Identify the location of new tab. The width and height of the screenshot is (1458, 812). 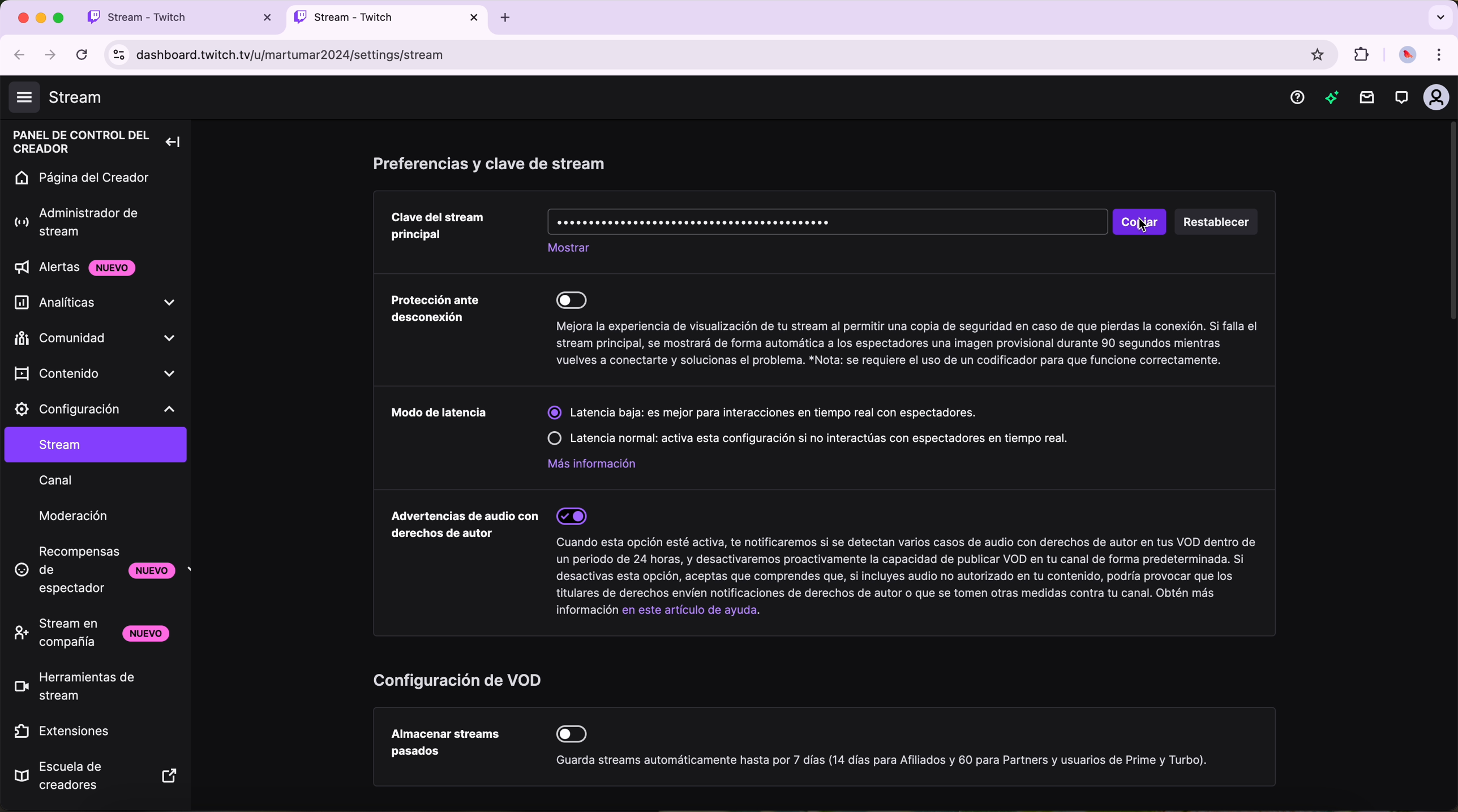
(510, 18).